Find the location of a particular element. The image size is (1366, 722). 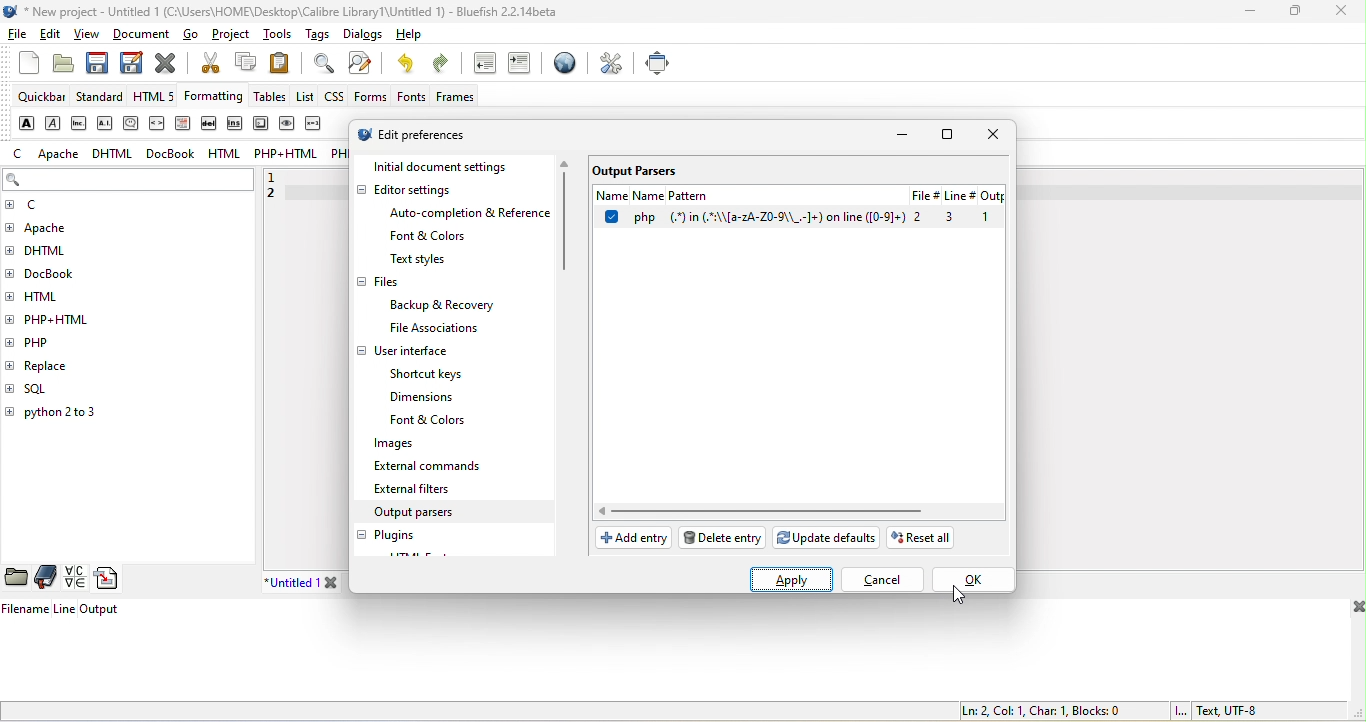

new is located at coordinates (20, 62).